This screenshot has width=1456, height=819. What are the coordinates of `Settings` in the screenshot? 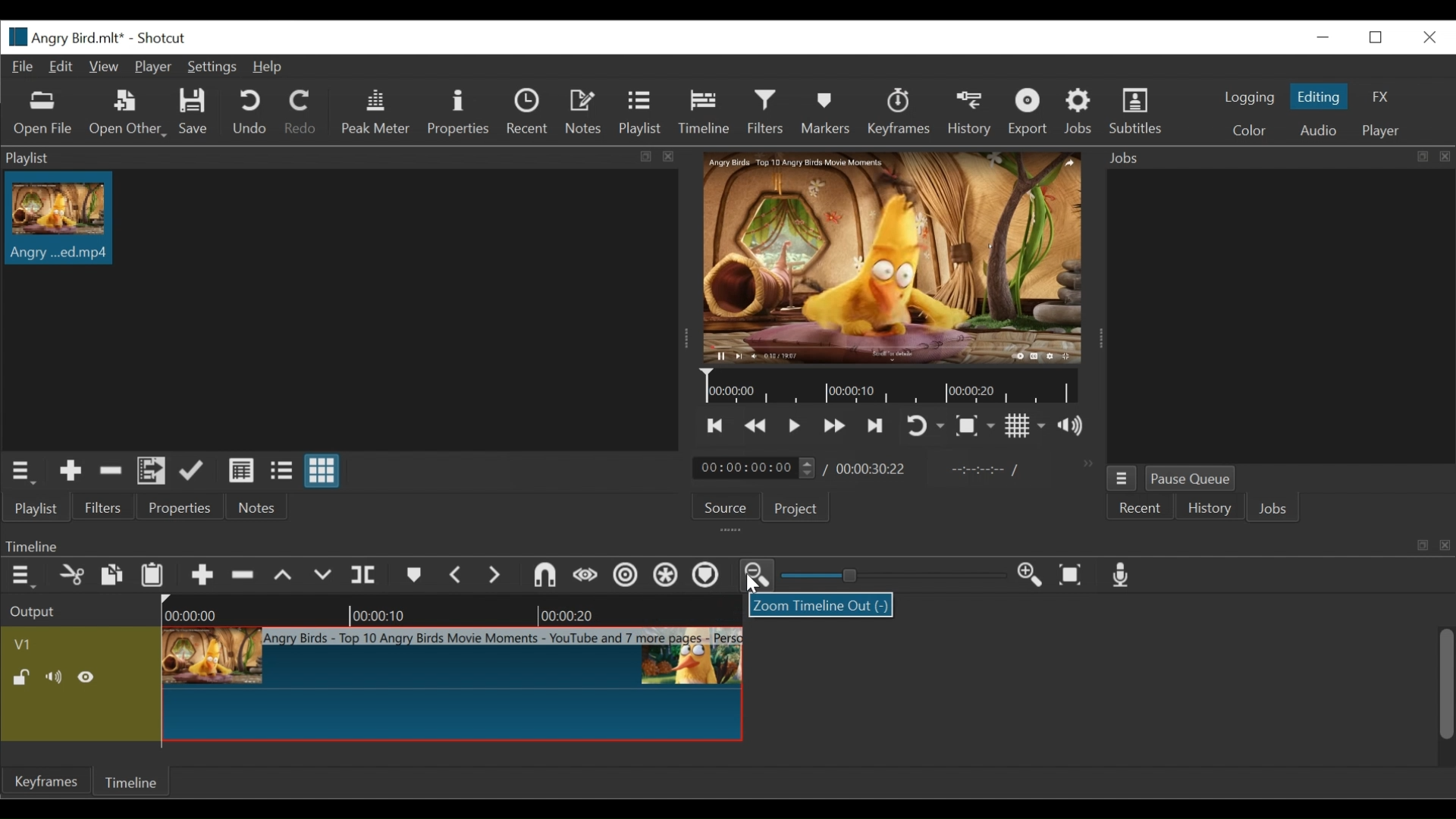 It's located at (213, 67).